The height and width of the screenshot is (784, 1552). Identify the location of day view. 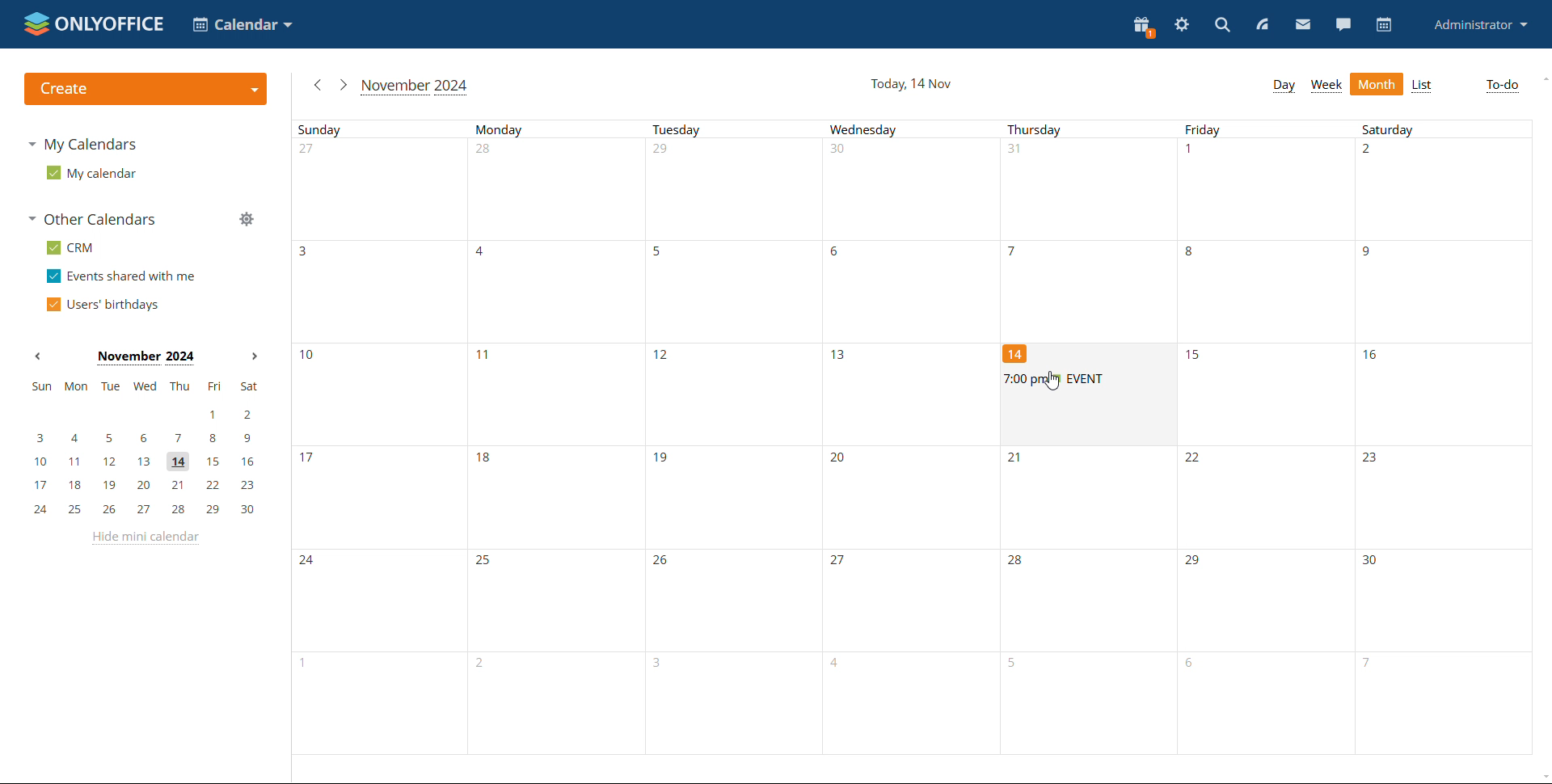
(1284, 86).